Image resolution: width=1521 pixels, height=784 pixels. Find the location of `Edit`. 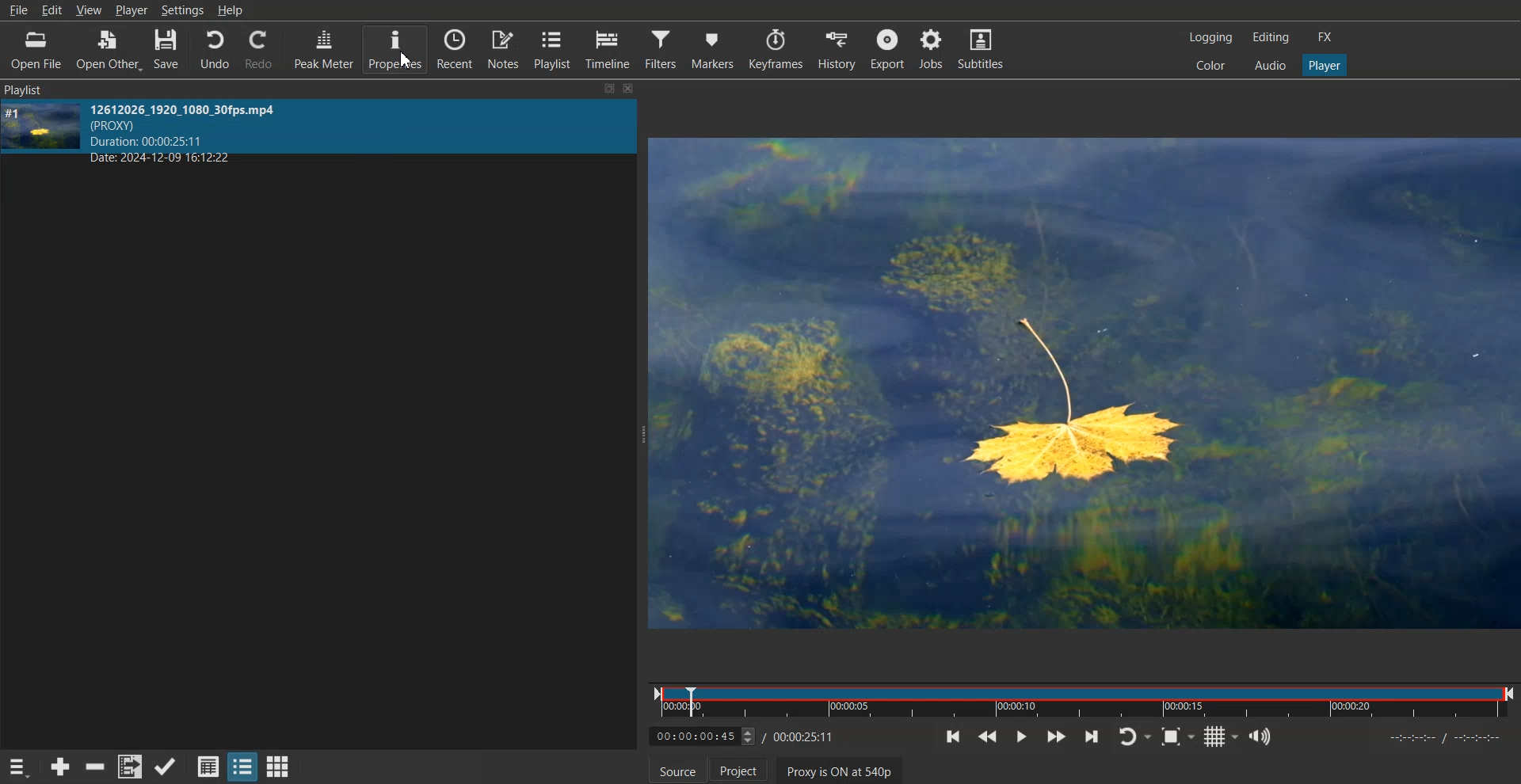

Edit is located at coordinates (51, 10).